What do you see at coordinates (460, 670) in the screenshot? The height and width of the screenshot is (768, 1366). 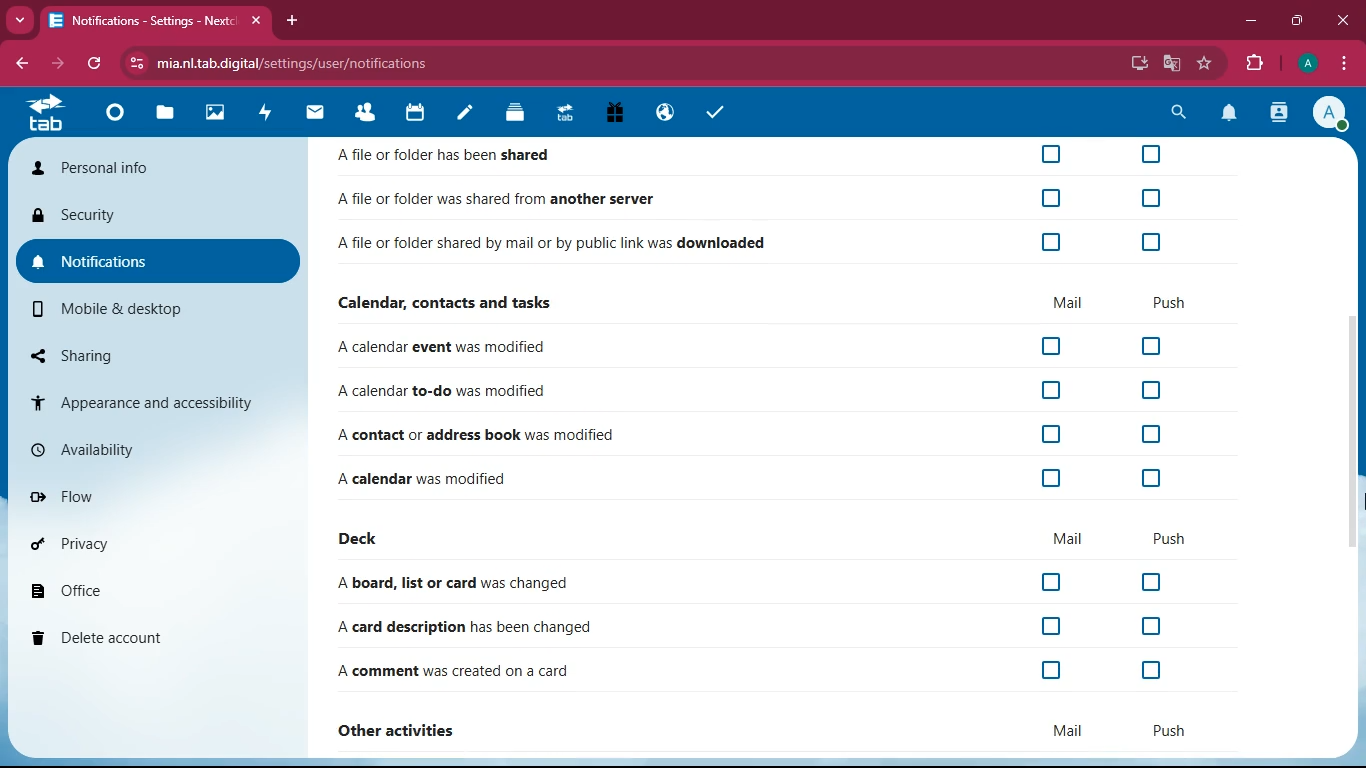 I see `A comment was created on a card` at bounding box center [460, 670].